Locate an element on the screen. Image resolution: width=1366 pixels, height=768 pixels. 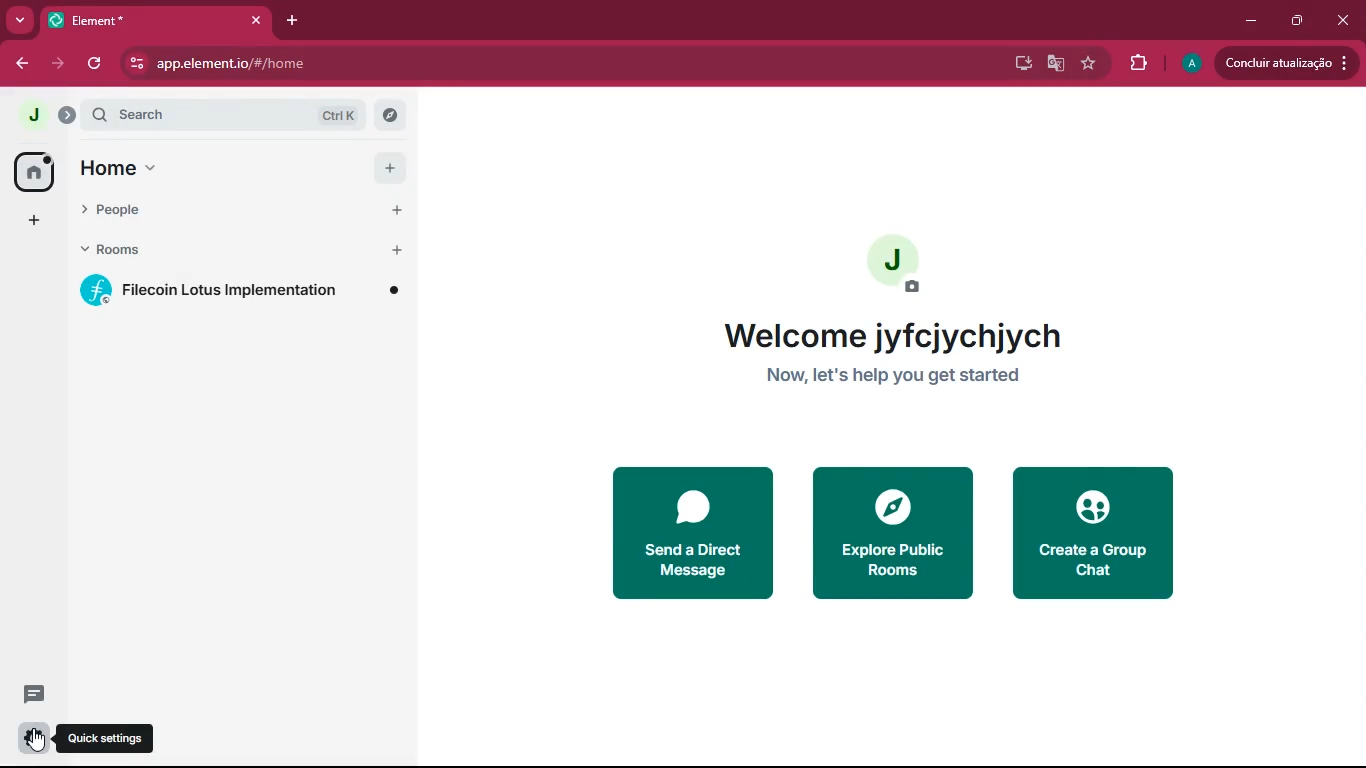
app.elementio/#/home is located at coordinates (333, 64).